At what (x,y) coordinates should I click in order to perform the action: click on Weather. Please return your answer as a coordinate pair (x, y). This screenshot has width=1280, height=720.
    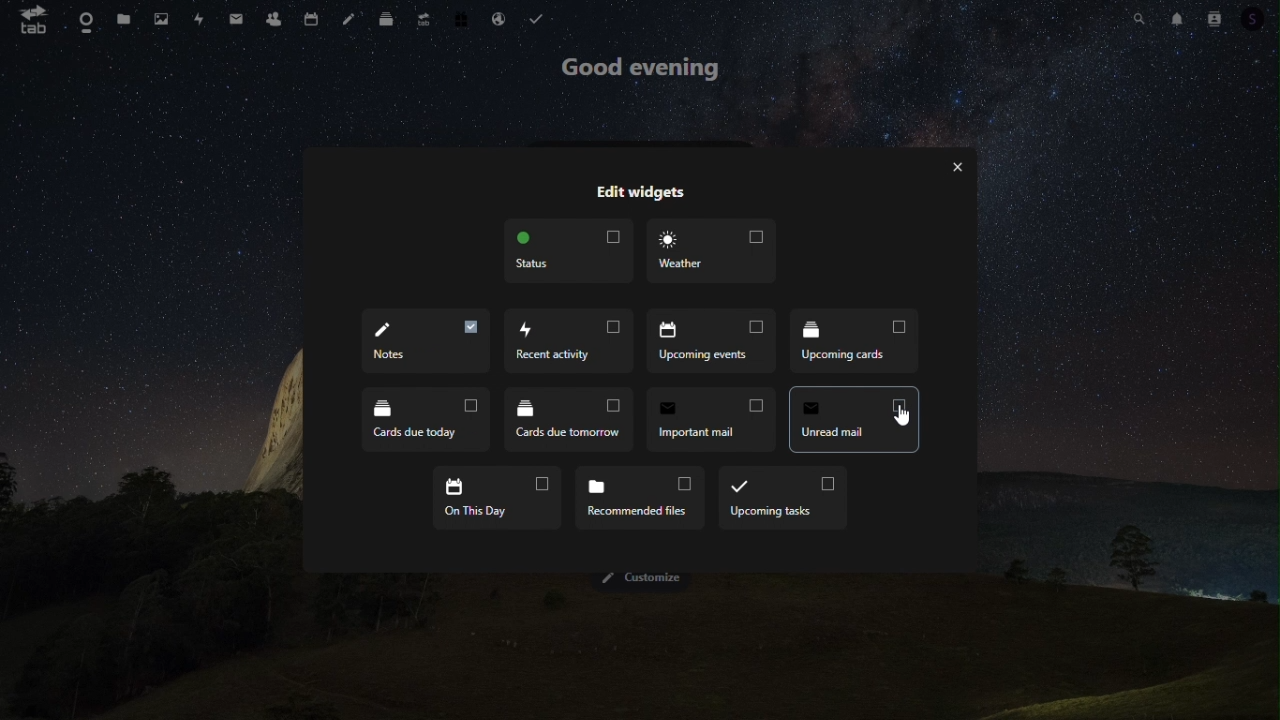
    Looking at the image, I should click on (711, 253).